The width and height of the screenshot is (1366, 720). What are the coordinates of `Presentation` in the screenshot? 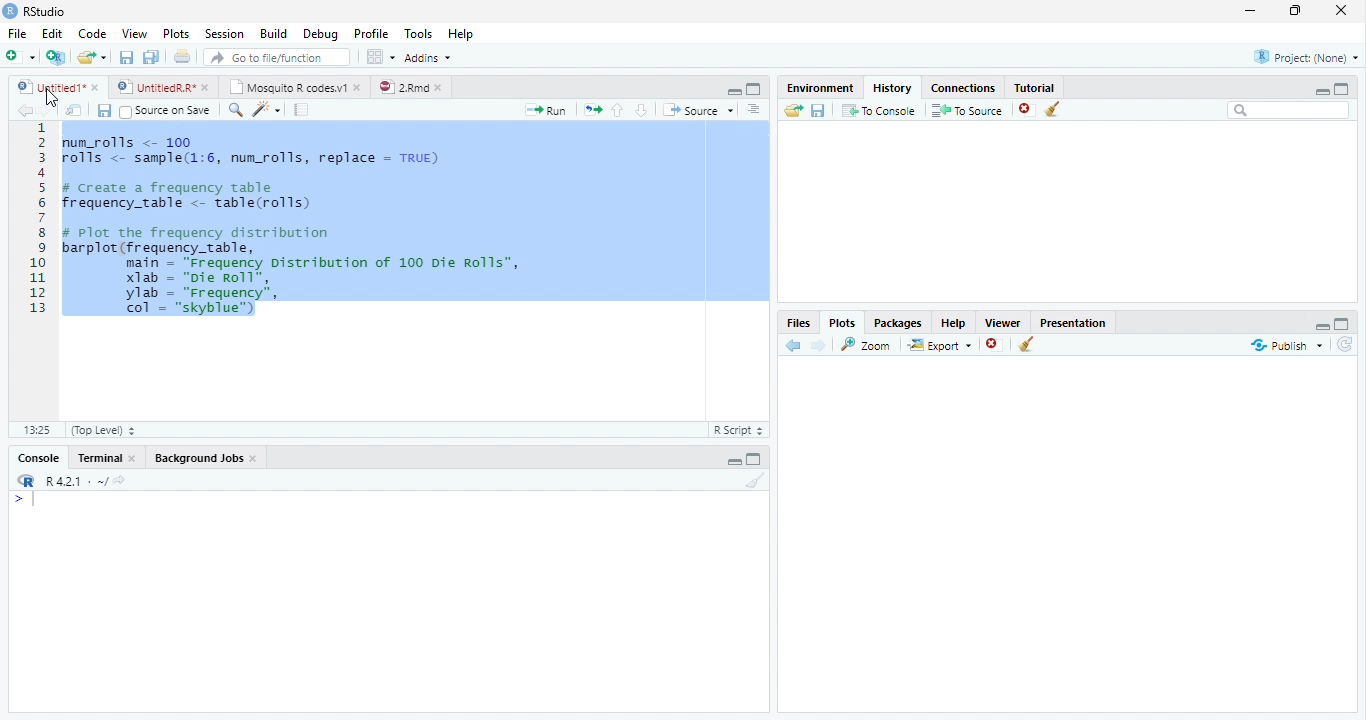 It's located at (1073, 322).